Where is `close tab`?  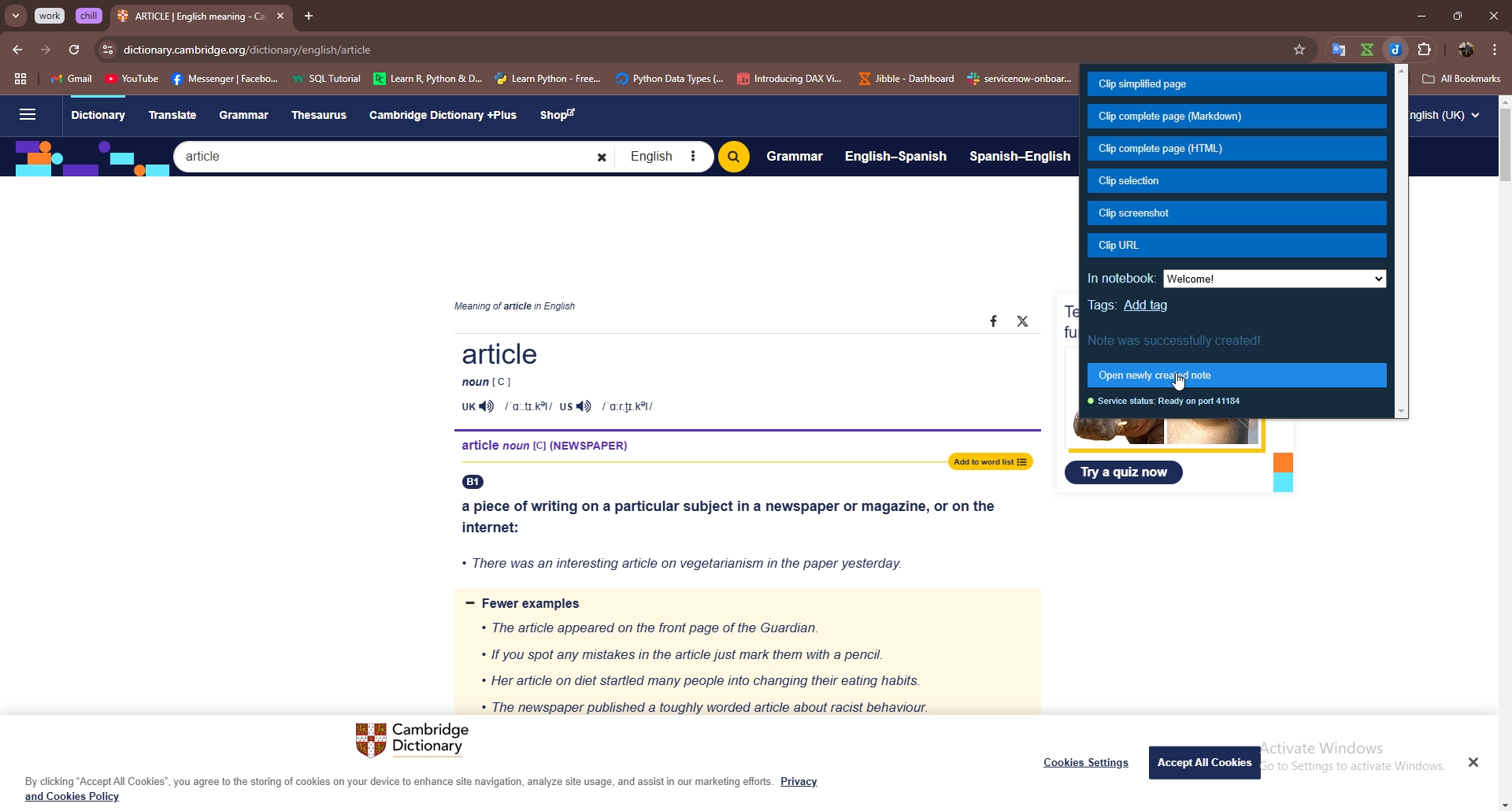
close tab is located at coordinates (280, 16).